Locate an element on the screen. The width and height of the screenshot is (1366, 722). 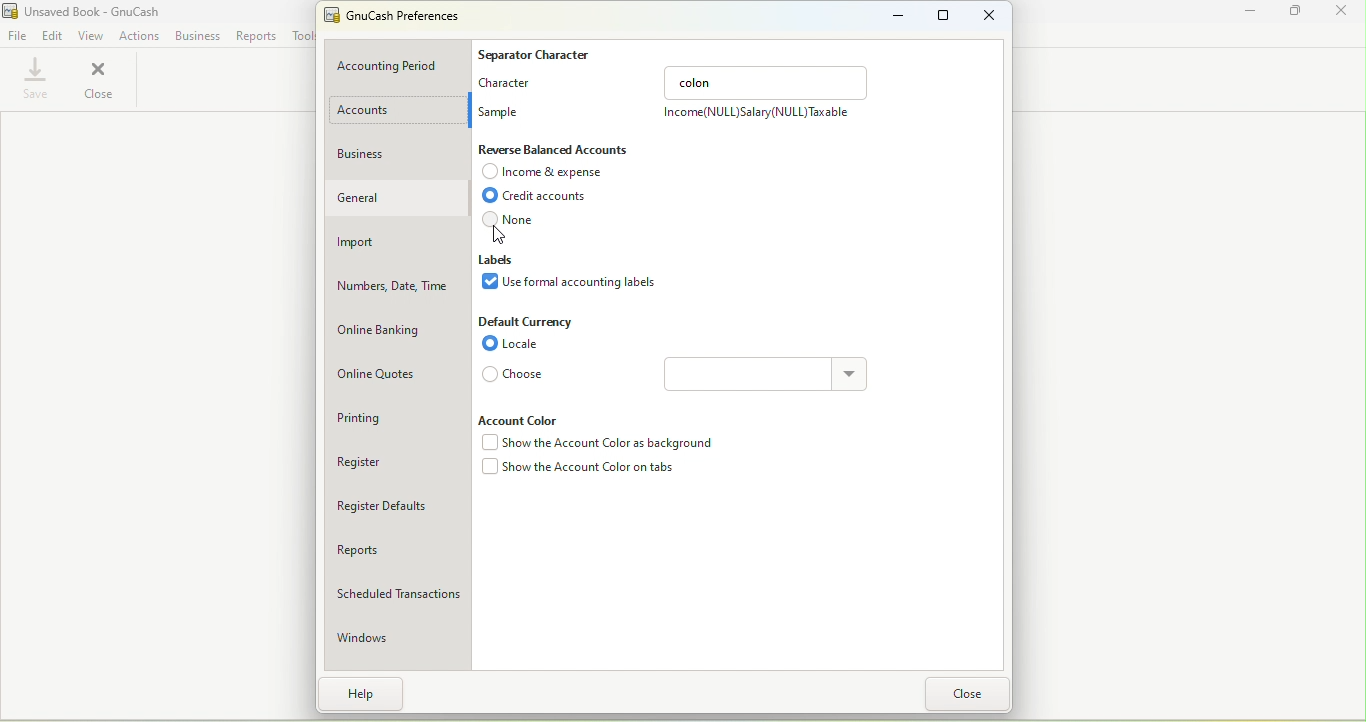
Close is located at coordinates (992, 14).